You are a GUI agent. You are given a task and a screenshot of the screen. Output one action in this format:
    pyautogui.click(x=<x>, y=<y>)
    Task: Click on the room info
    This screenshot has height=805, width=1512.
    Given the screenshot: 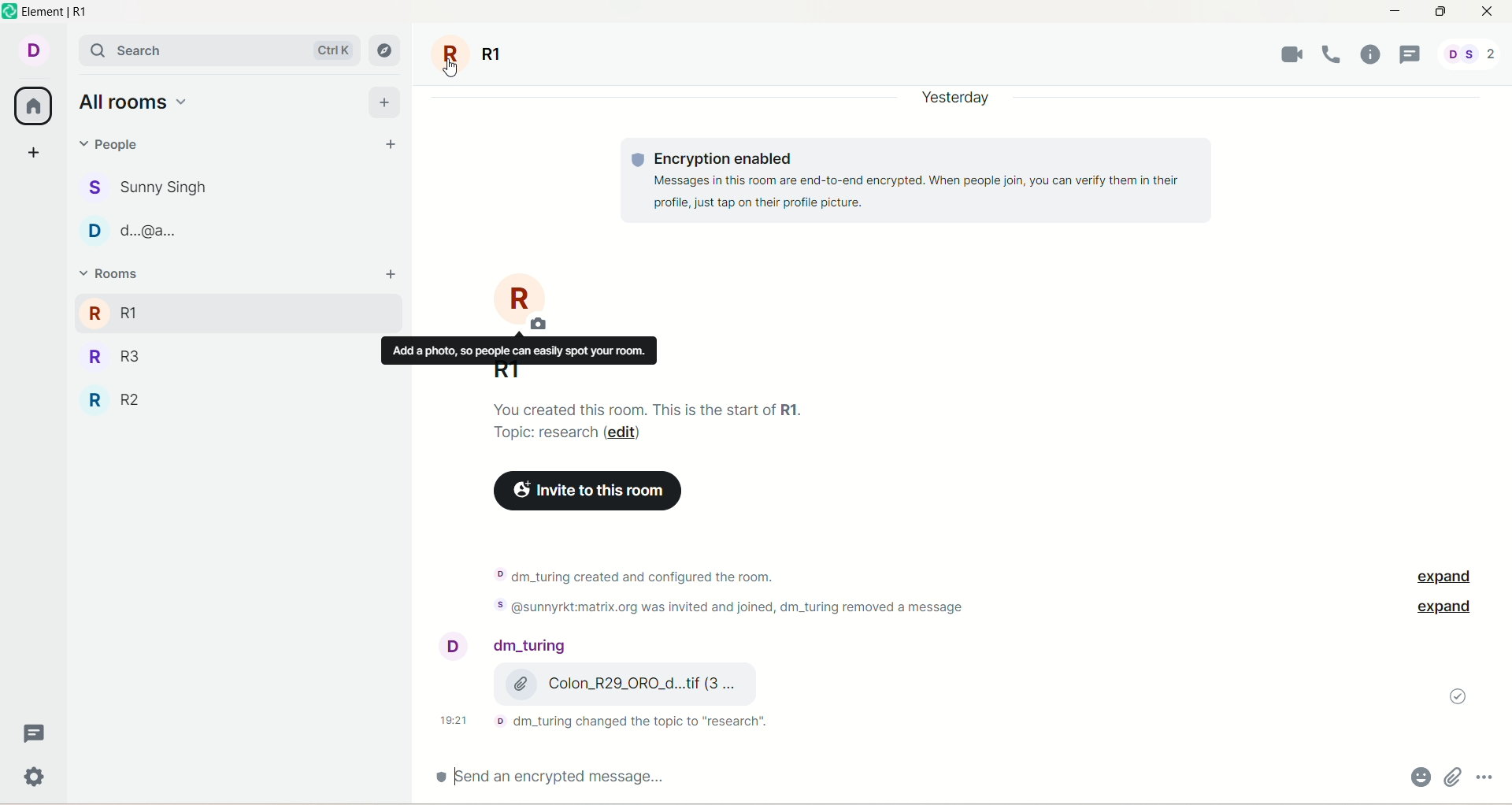 What is the action you would take?
    pyautogui.click(x=1373, y=54)
    